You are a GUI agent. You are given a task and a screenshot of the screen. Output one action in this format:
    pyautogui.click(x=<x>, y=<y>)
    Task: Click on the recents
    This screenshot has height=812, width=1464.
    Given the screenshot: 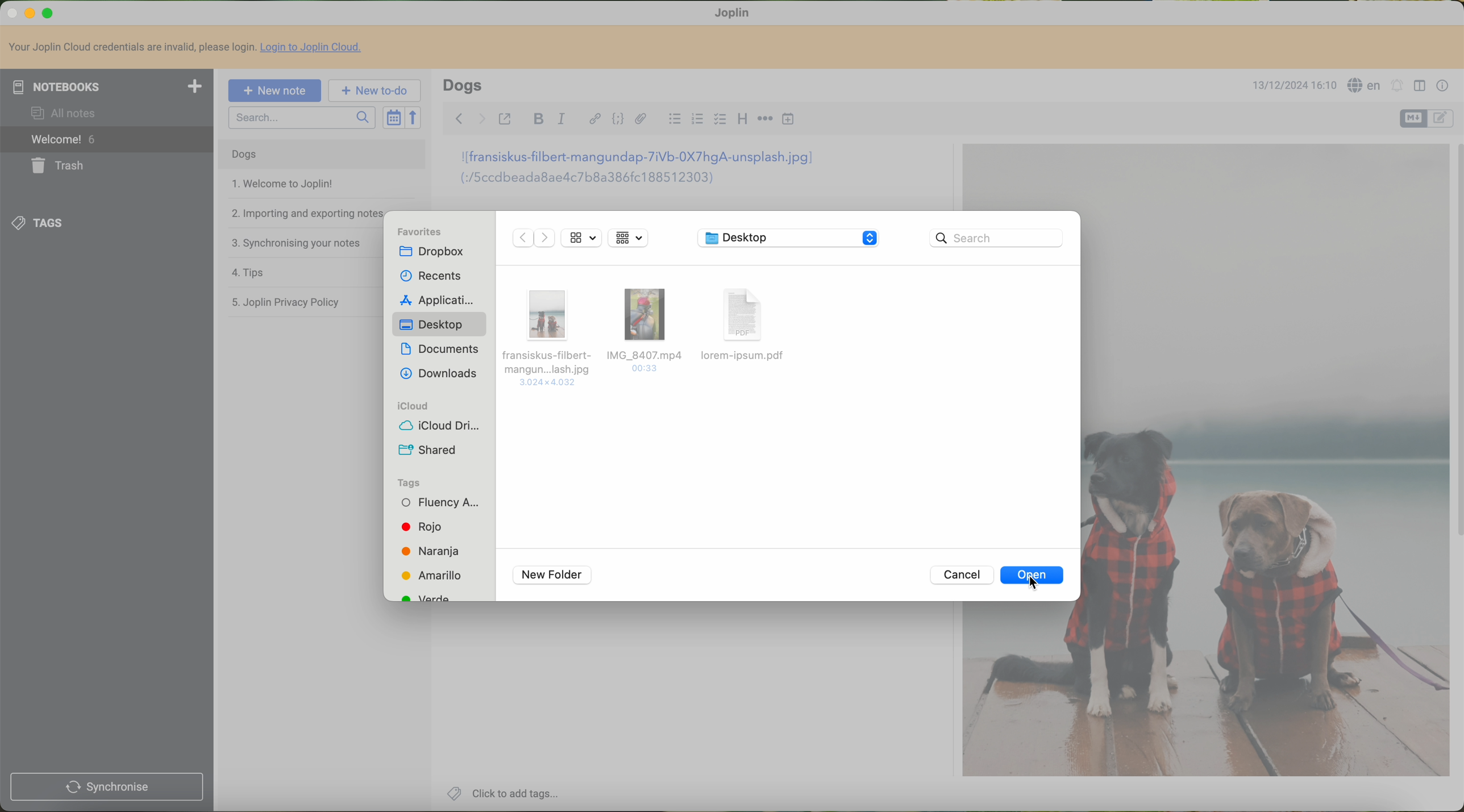 What is the action you would take?
    pyautogui.click(x=428, y=274)
    